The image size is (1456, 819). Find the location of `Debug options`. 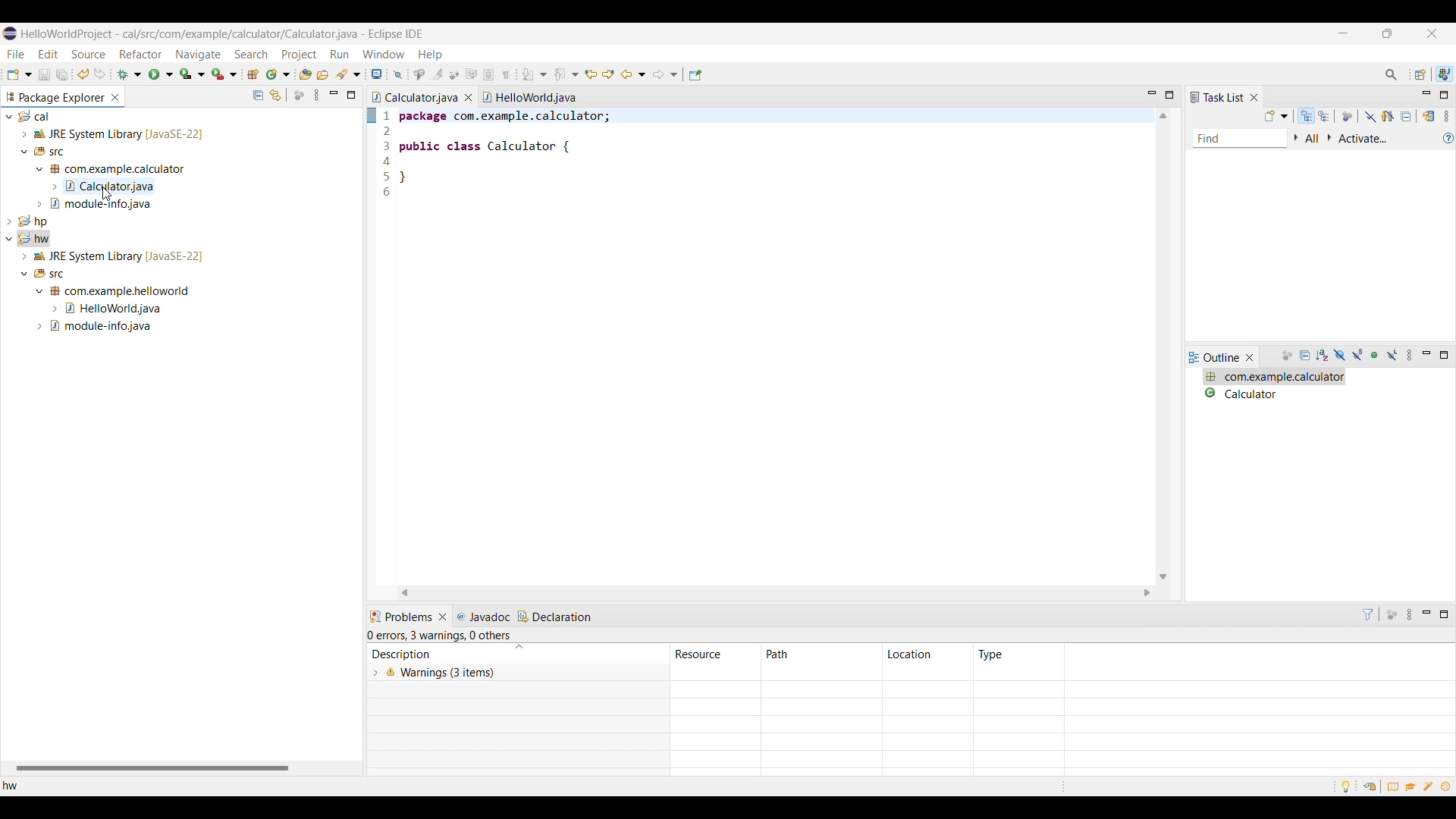

Debug options is located at coordinates (129, 74).